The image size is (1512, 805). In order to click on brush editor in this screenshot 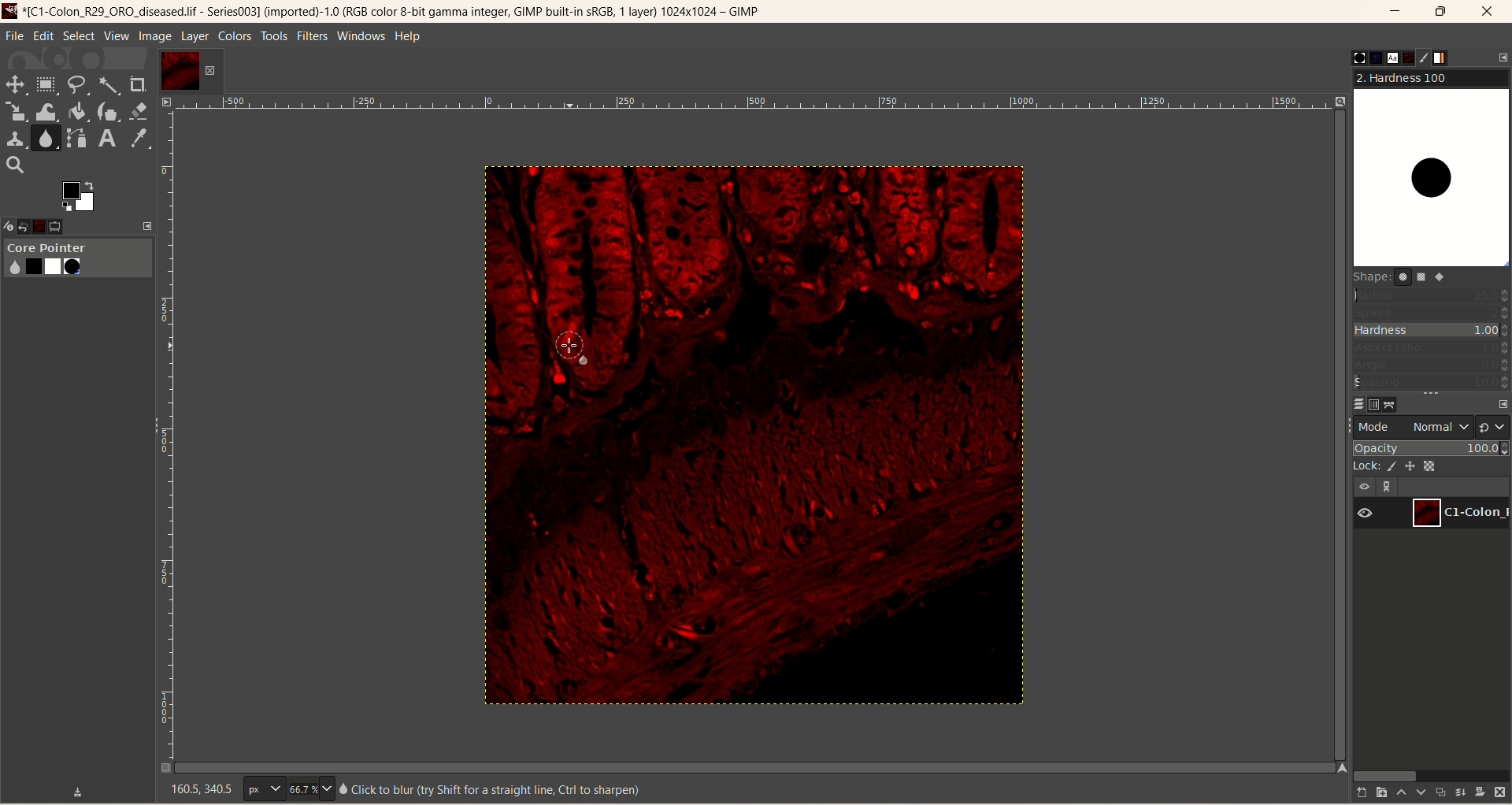, I will do `click(1427, 57)`.